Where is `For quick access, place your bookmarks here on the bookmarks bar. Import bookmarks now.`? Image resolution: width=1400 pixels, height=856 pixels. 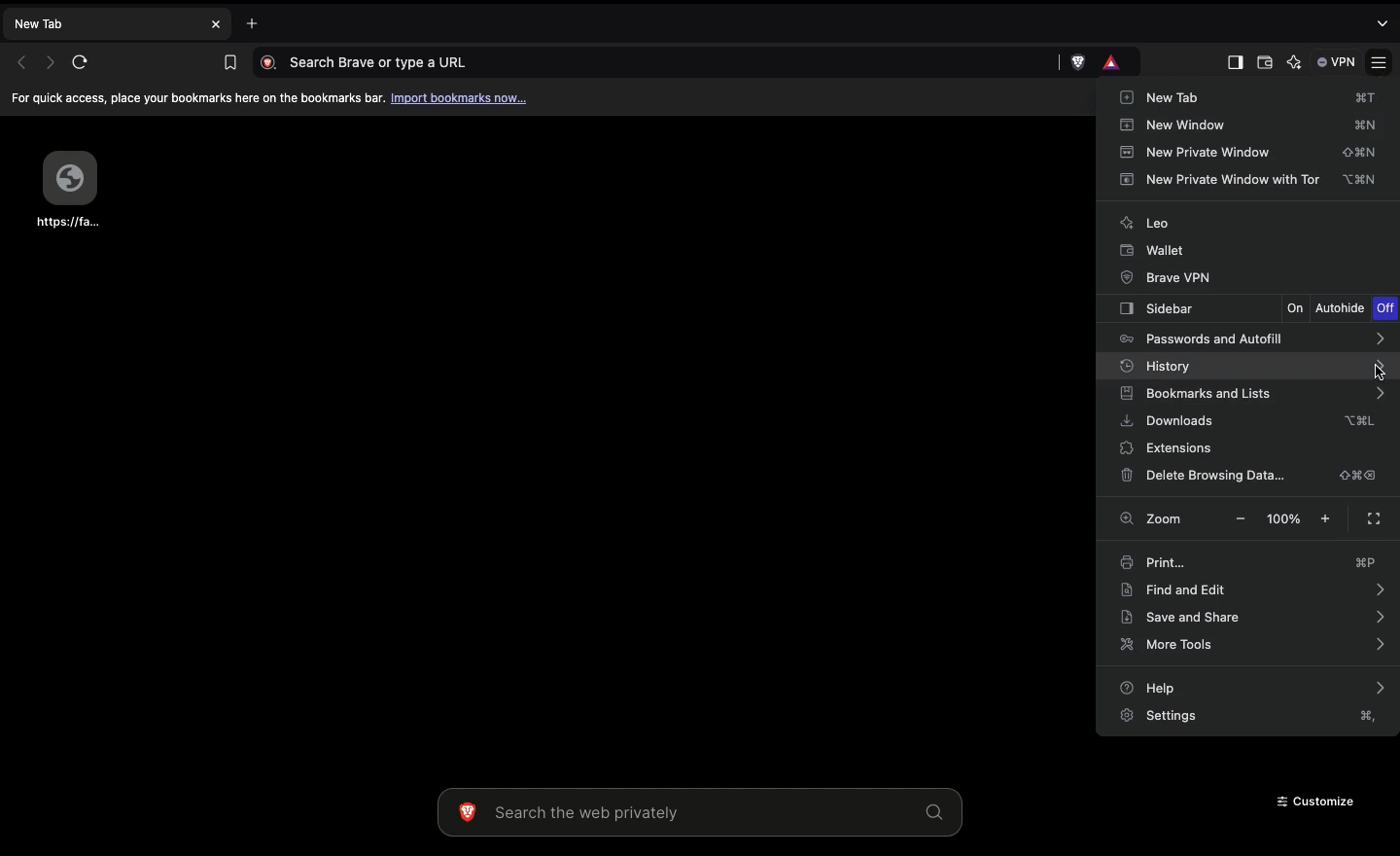 For quick access, place your bookmarks here on the bookmarks bar. Import bookmarks now. is located at coordinates (273, 98).